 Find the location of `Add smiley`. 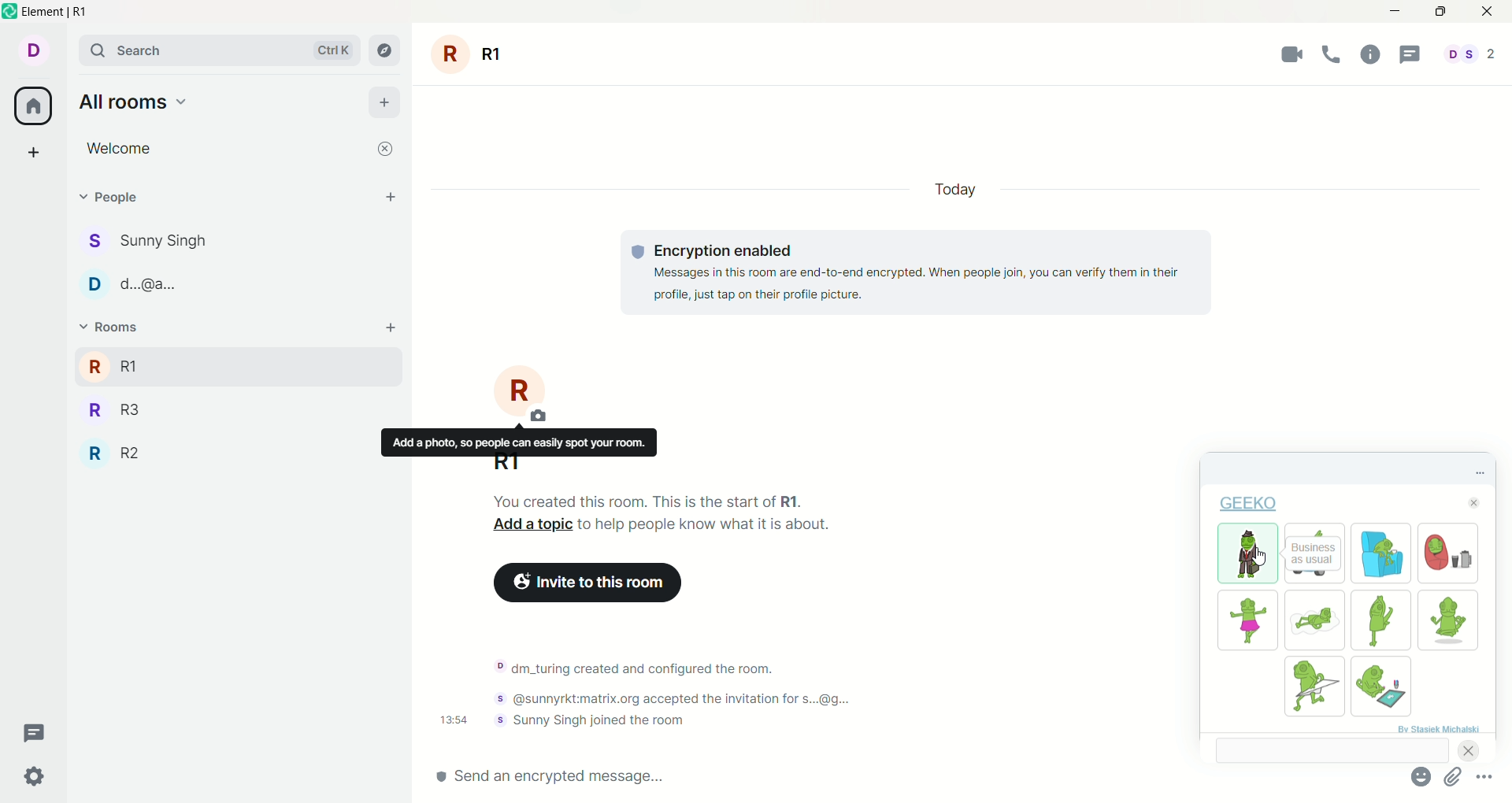

Add smiley is located at coordinates (1421, 776).